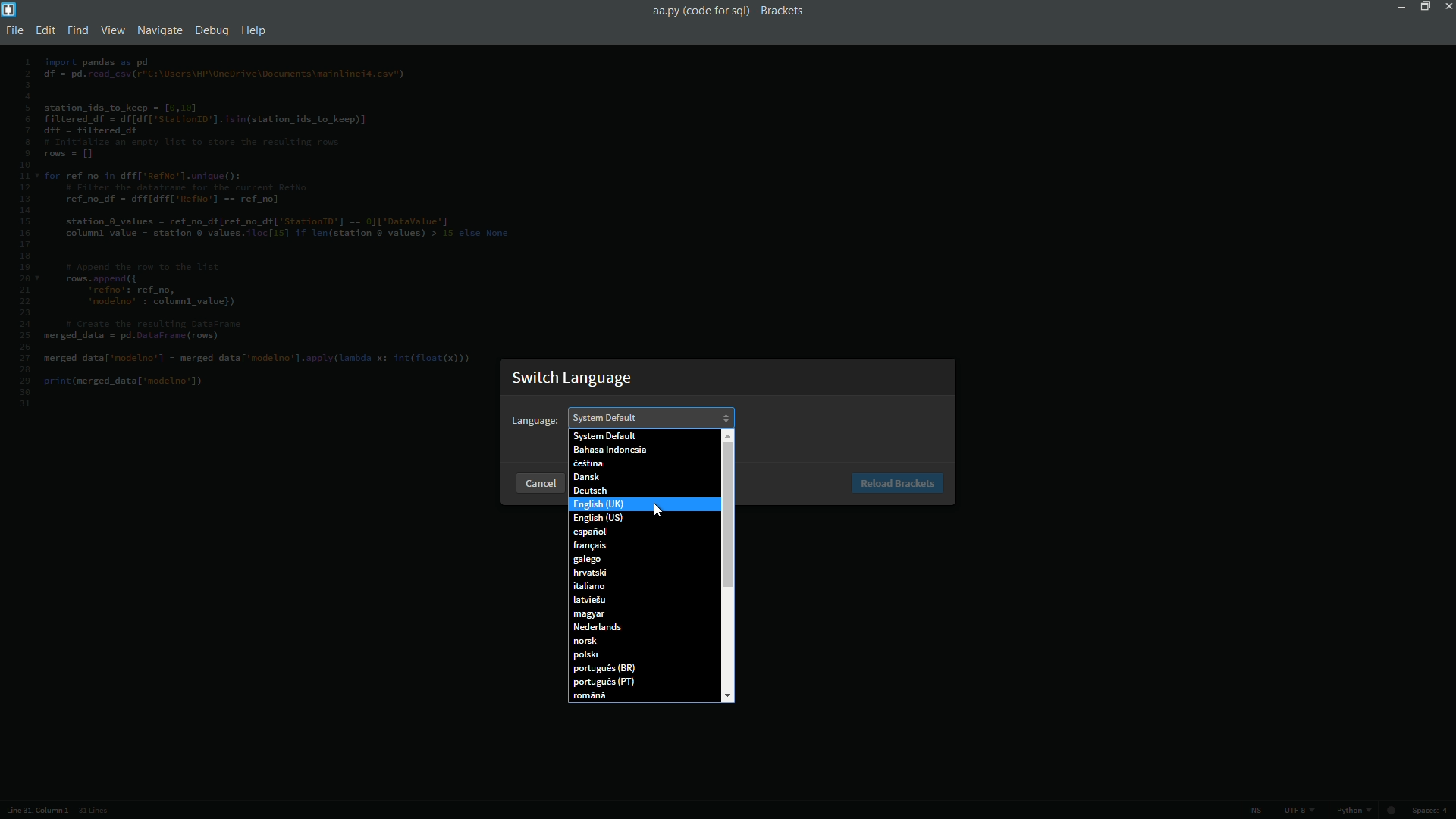 This screenshot has width=1456, height=819. I want to click on number of lines, so click(93, 812).